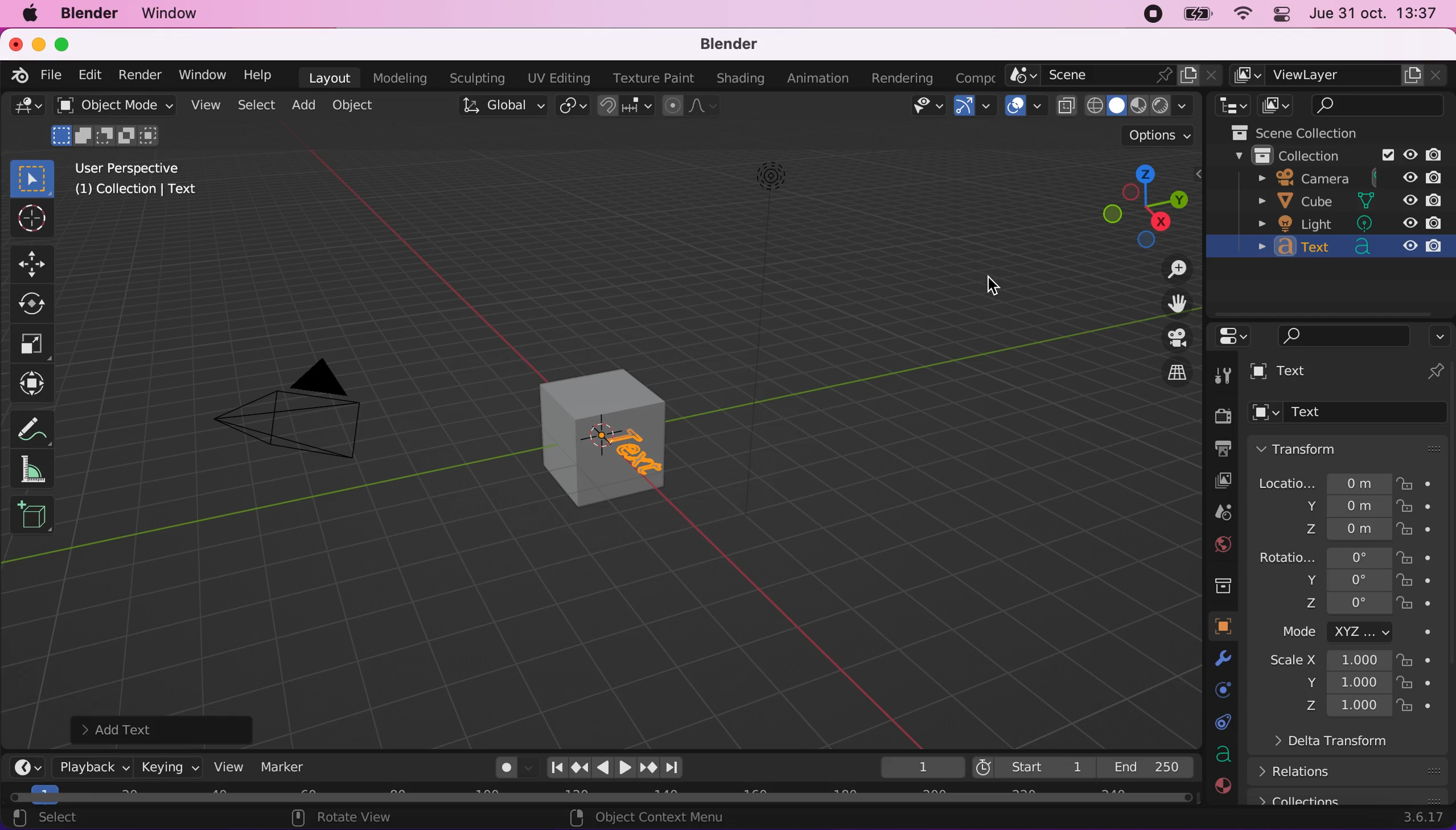 The image size is (1456, 830). I want to click on user perspective (1) collection, so click(137, 180).